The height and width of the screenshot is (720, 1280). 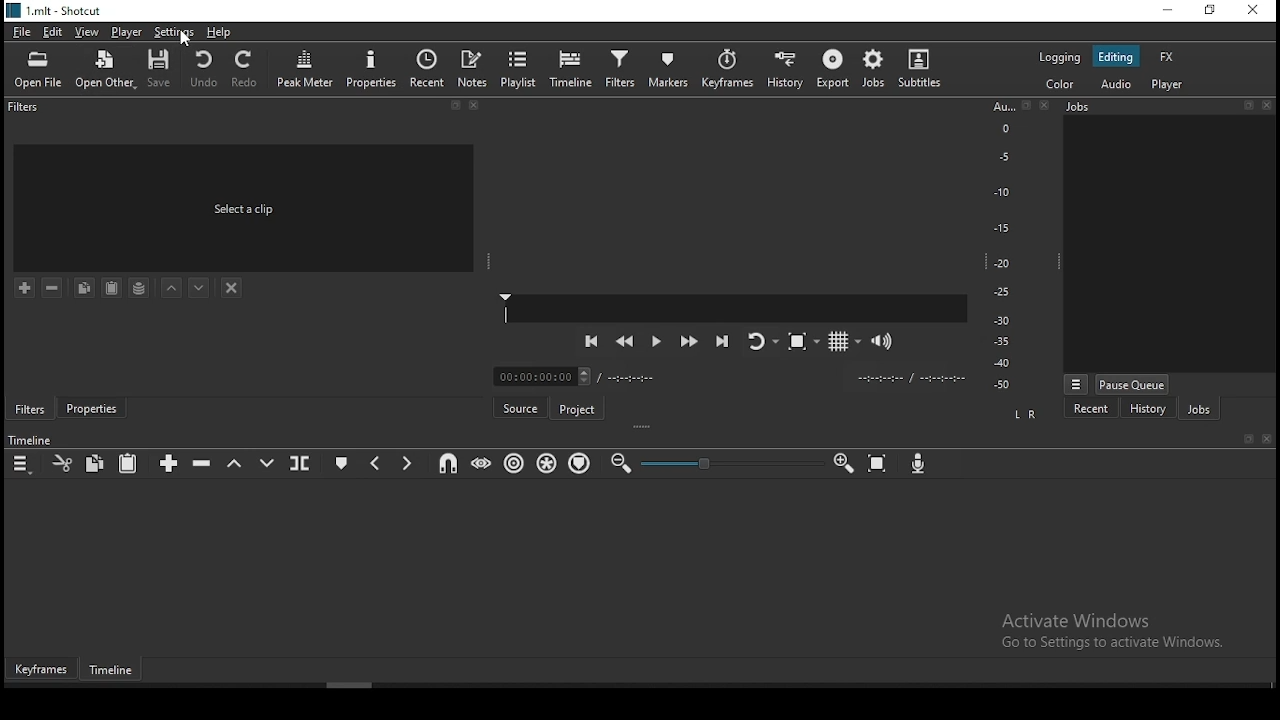 What do you see at coordinates (42, 670) in the screenshot?
I see `keyframes` at bounding box center [42, 670].